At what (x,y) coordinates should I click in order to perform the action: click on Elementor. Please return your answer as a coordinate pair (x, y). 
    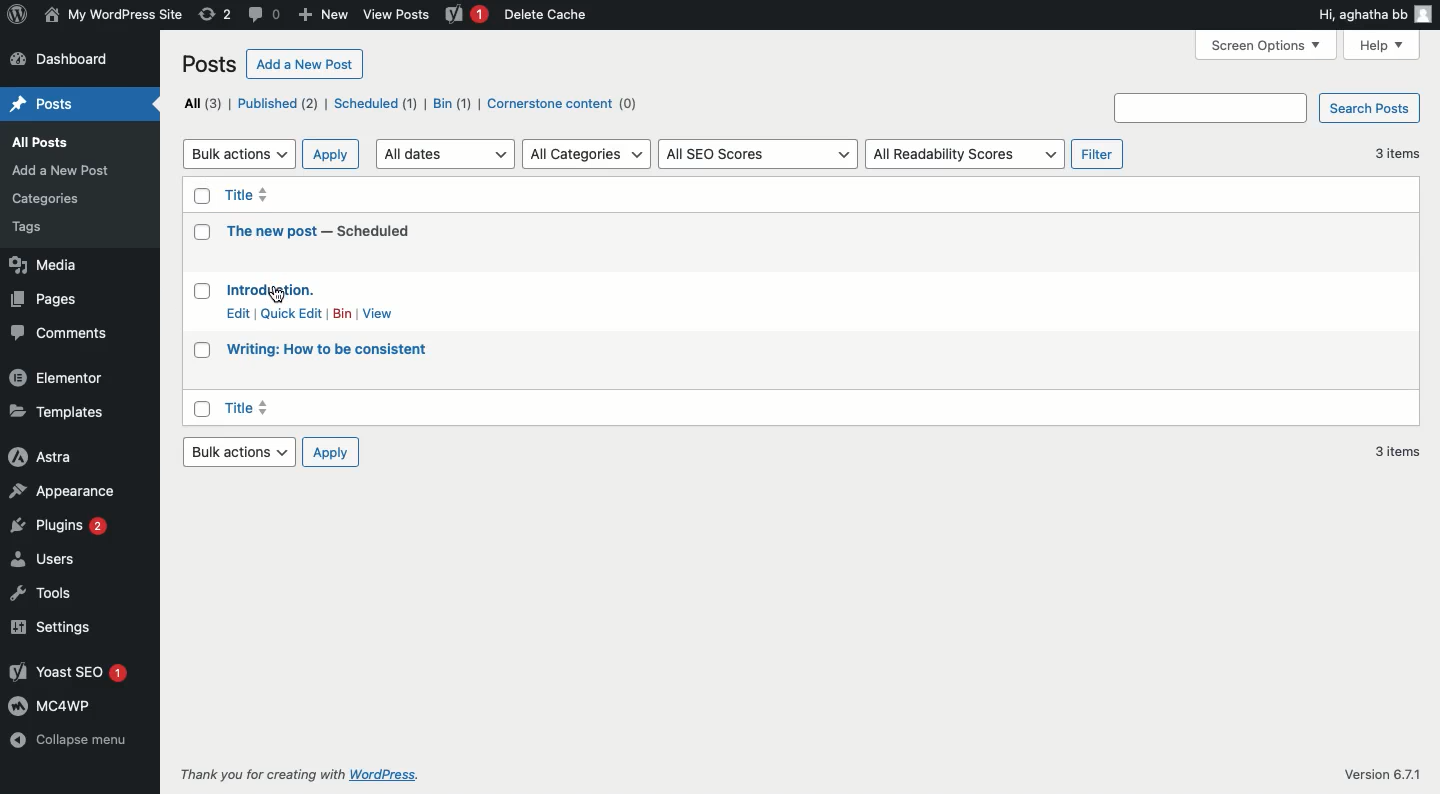
    Looking at the image, I should click on (61, 378).